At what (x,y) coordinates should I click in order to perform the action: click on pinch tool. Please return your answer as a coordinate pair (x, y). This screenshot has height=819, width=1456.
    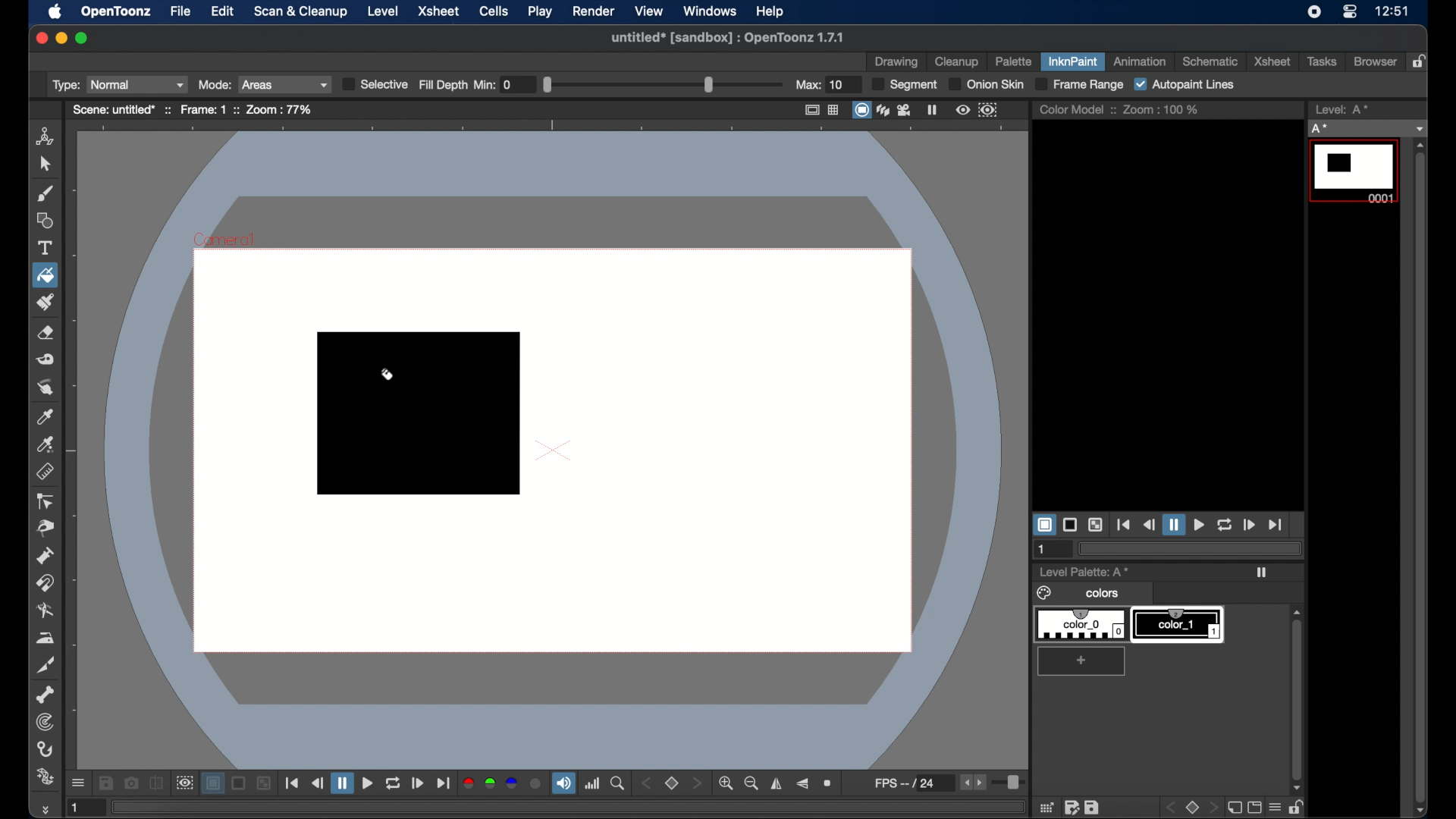
    Looking at the image, I should click on (45, 528).